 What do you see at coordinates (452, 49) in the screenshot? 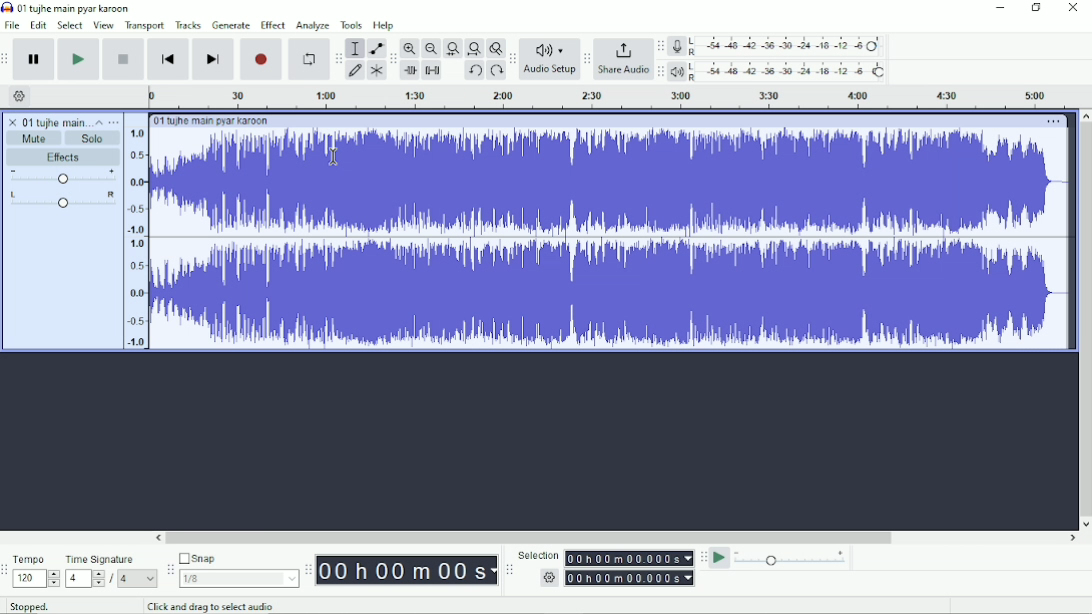
I see `Fit selection to width` at bounding box center [452, 49].